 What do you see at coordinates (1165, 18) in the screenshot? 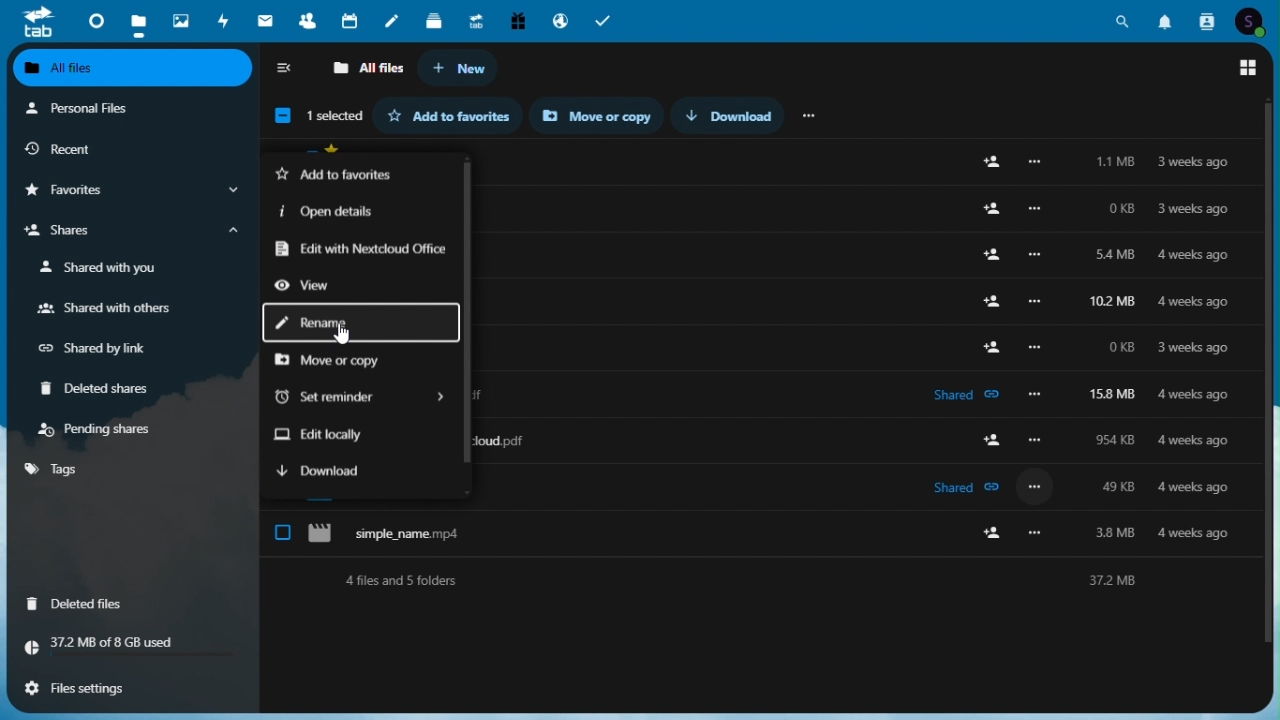
I see `Notifications` at bounding box center [1165, 18].